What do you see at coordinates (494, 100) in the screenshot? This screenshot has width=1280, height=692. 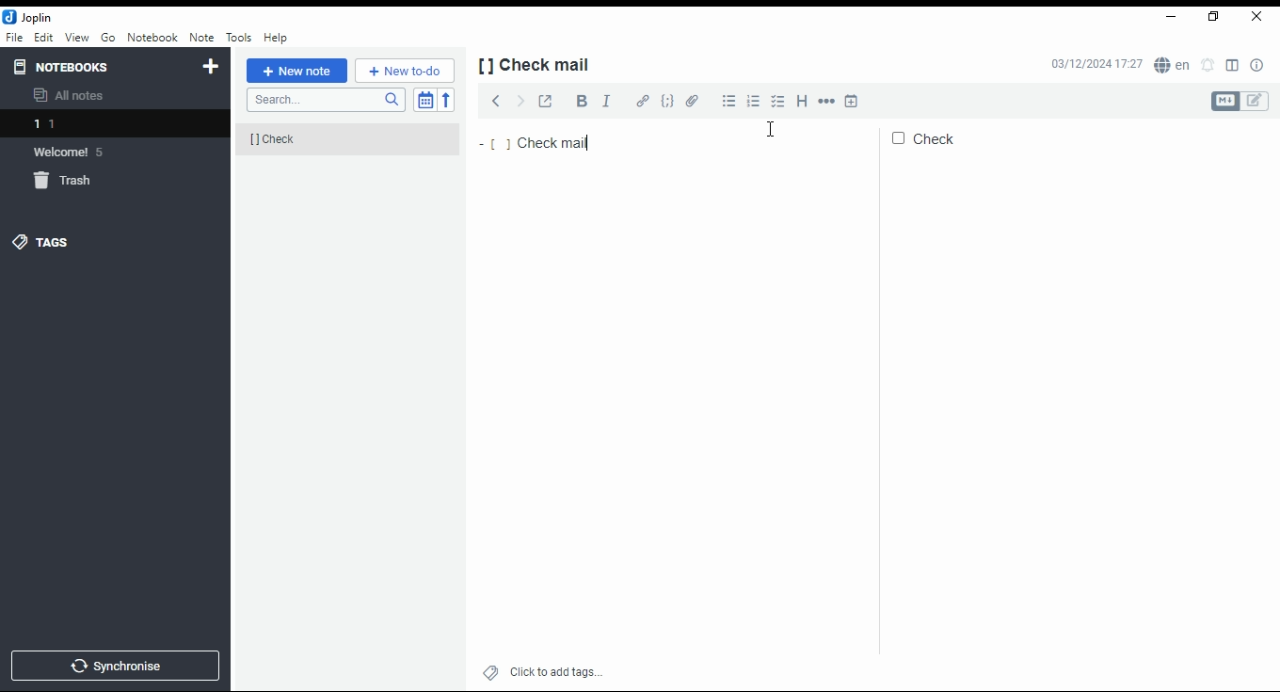 I see `previous` at bounding box center [494, 100].